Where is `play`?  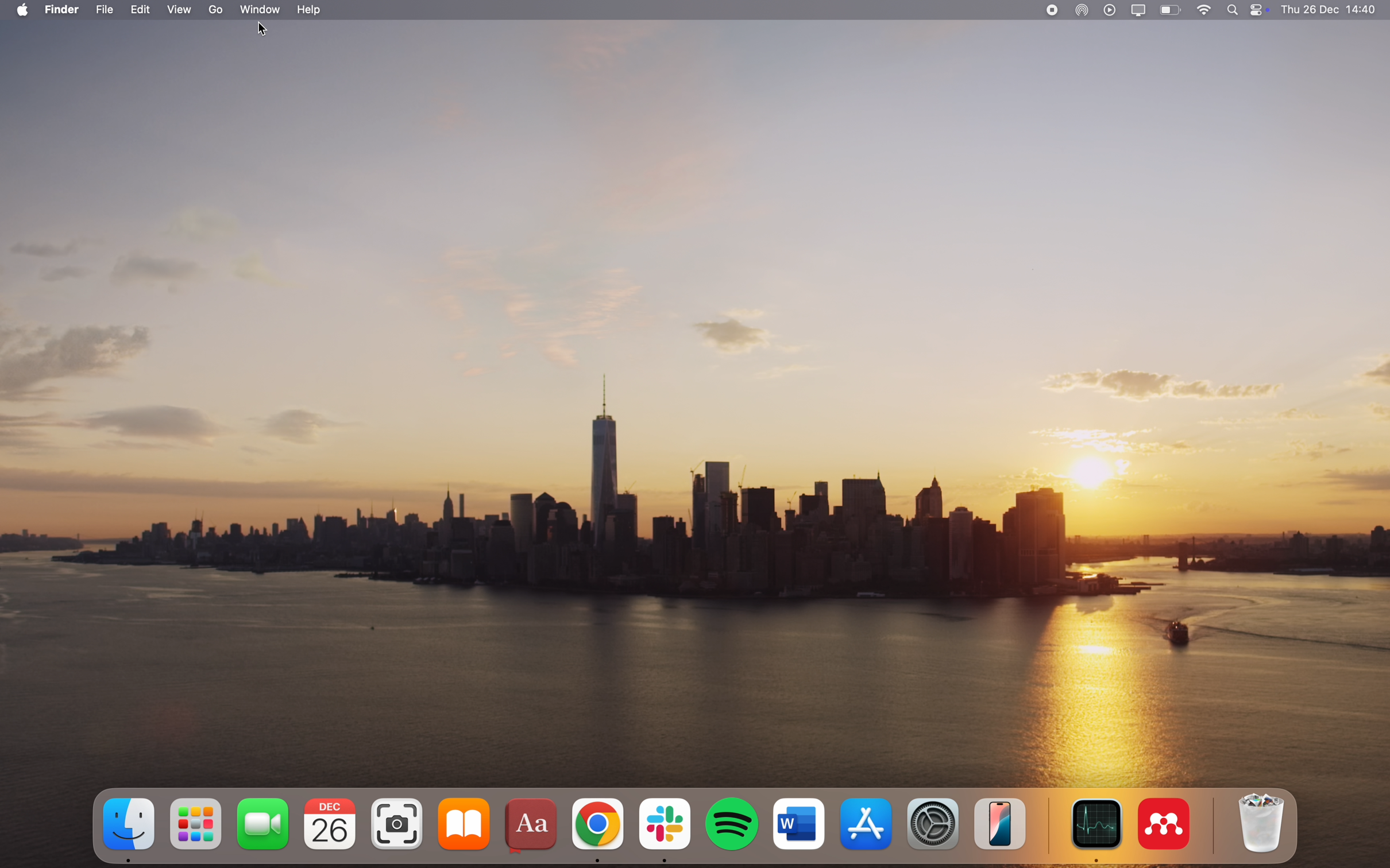
play is located at coordinates (1110, 10).